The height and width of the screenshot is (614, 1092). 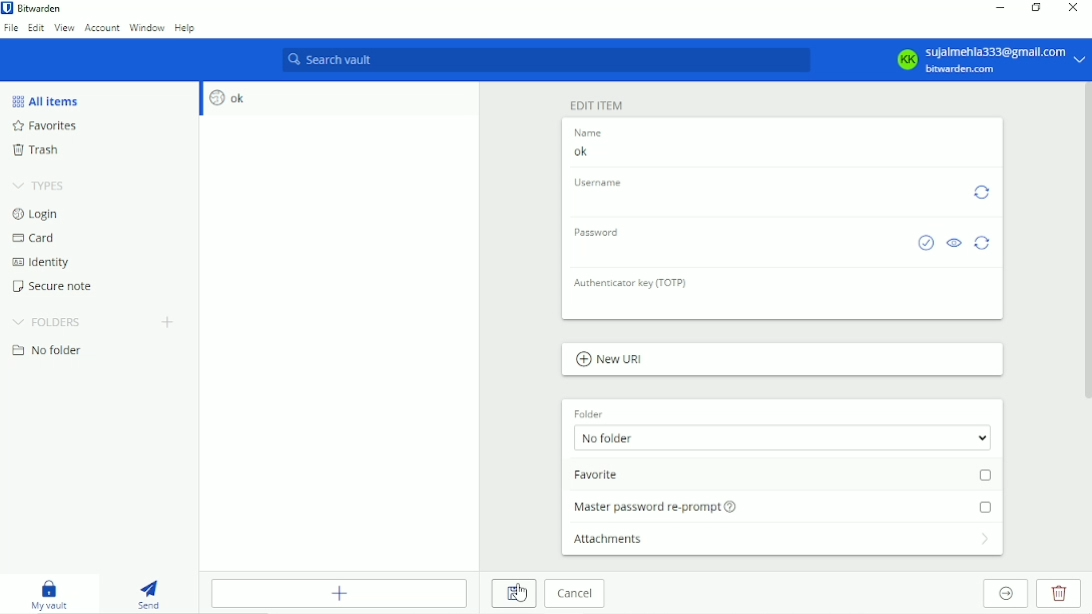 I want to click on Account, so click(x=986, y=58).